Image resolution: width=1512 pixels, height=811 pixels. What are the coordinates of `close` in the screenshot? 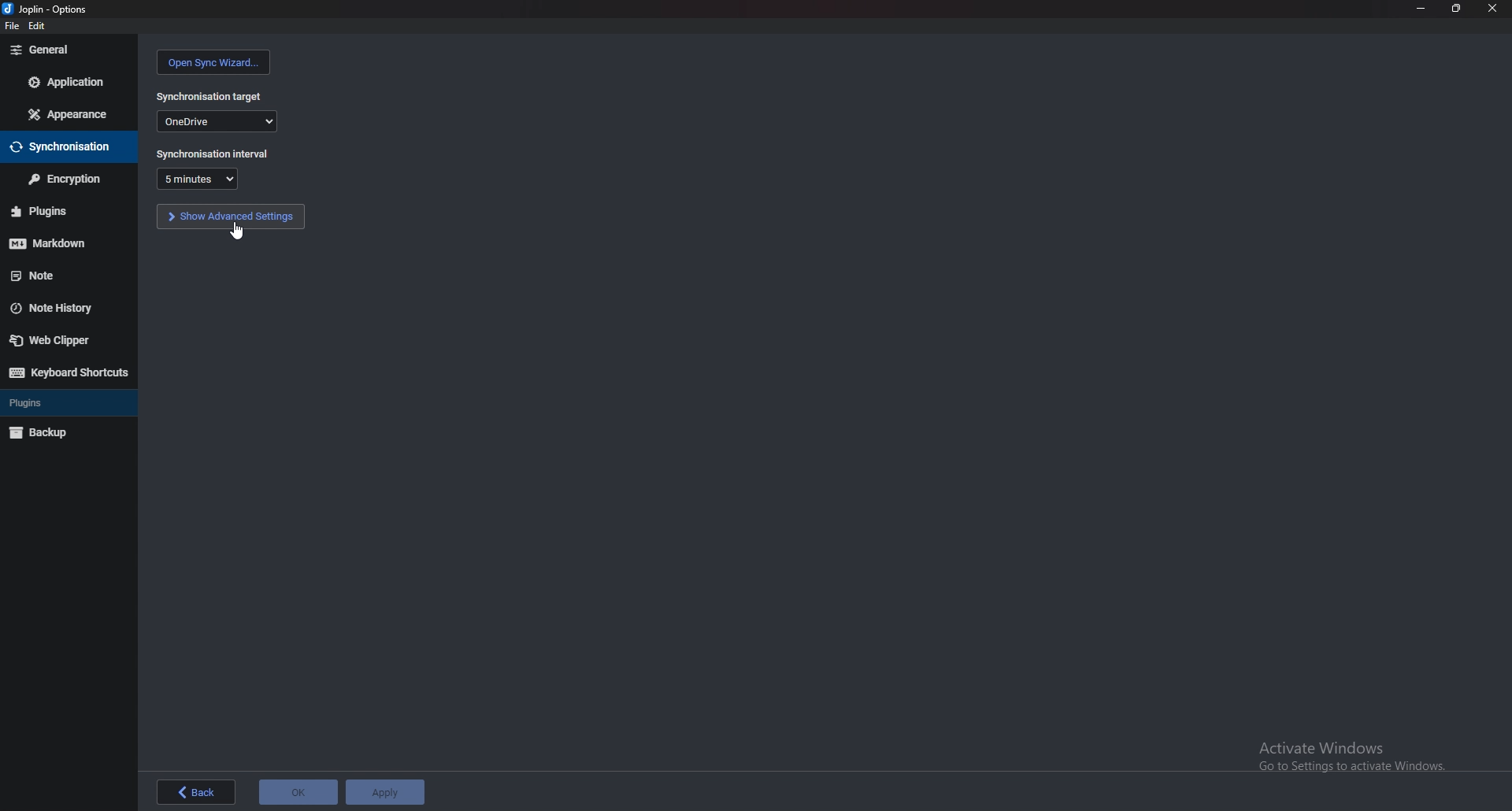 It's located at (1492, 9).